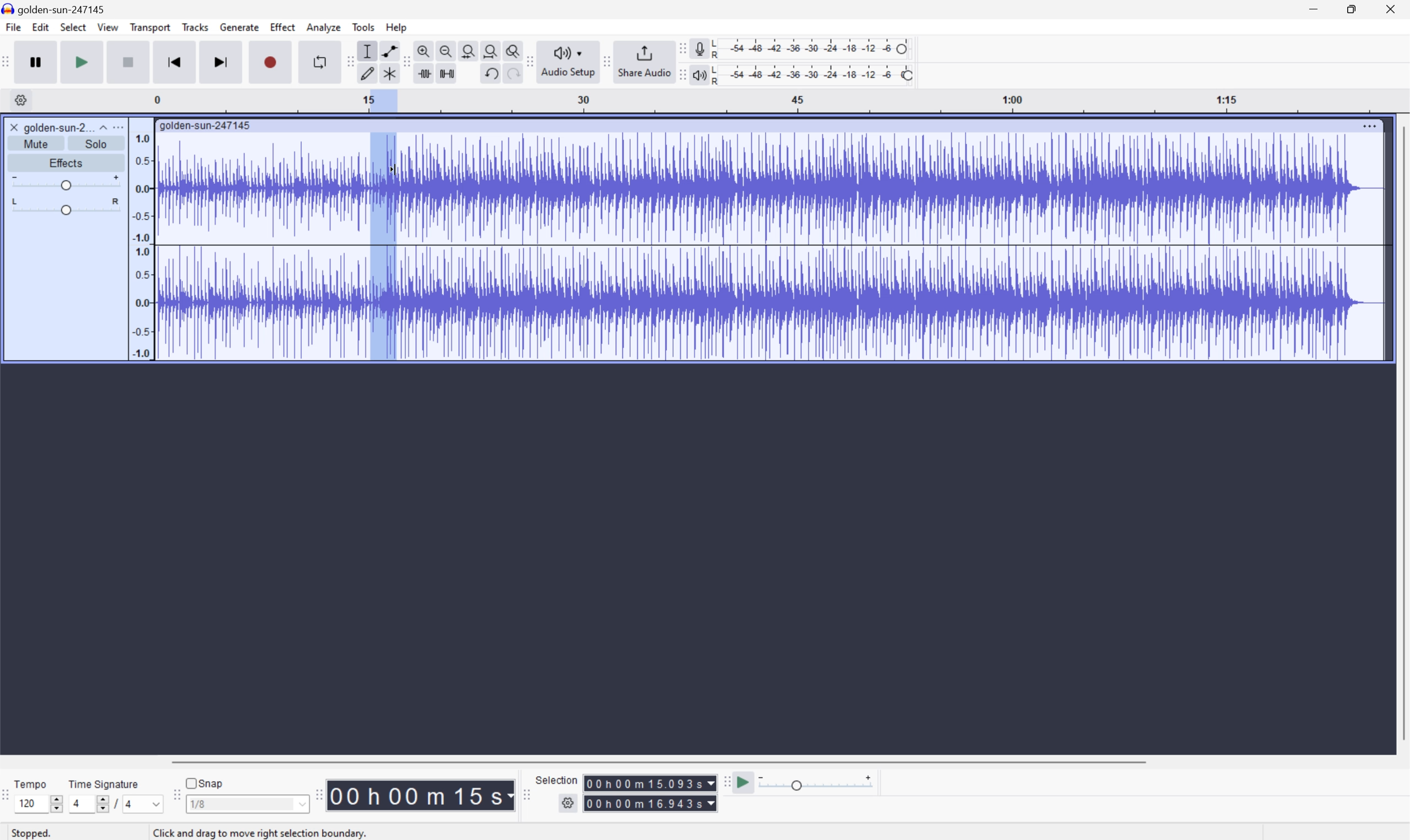  What do you see at coordinates (366, 51) in the screenshot?
I see `Selection tool` at bounding box center [366, 51].